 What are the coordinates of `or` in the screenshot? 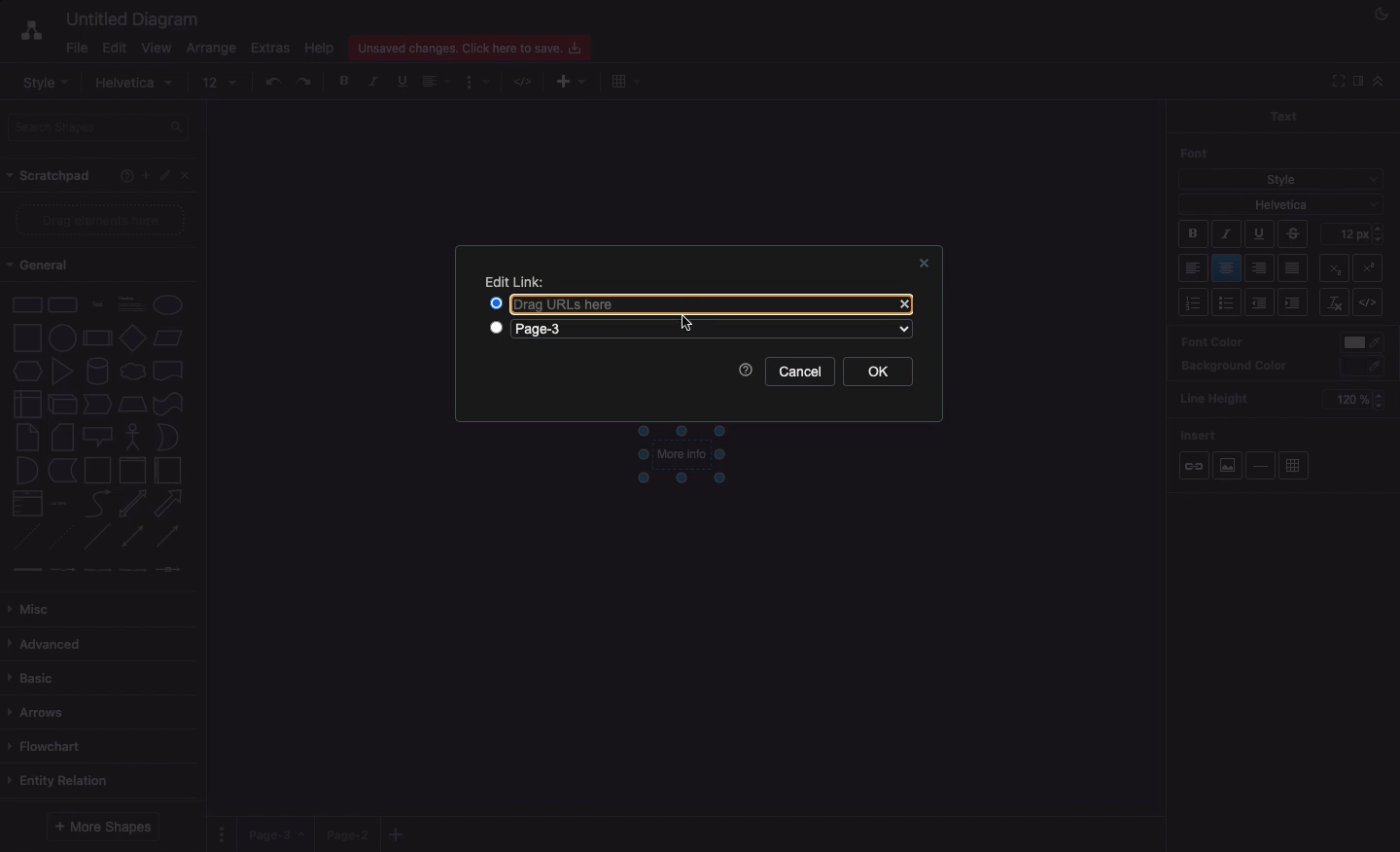 It's located at (168, 437).